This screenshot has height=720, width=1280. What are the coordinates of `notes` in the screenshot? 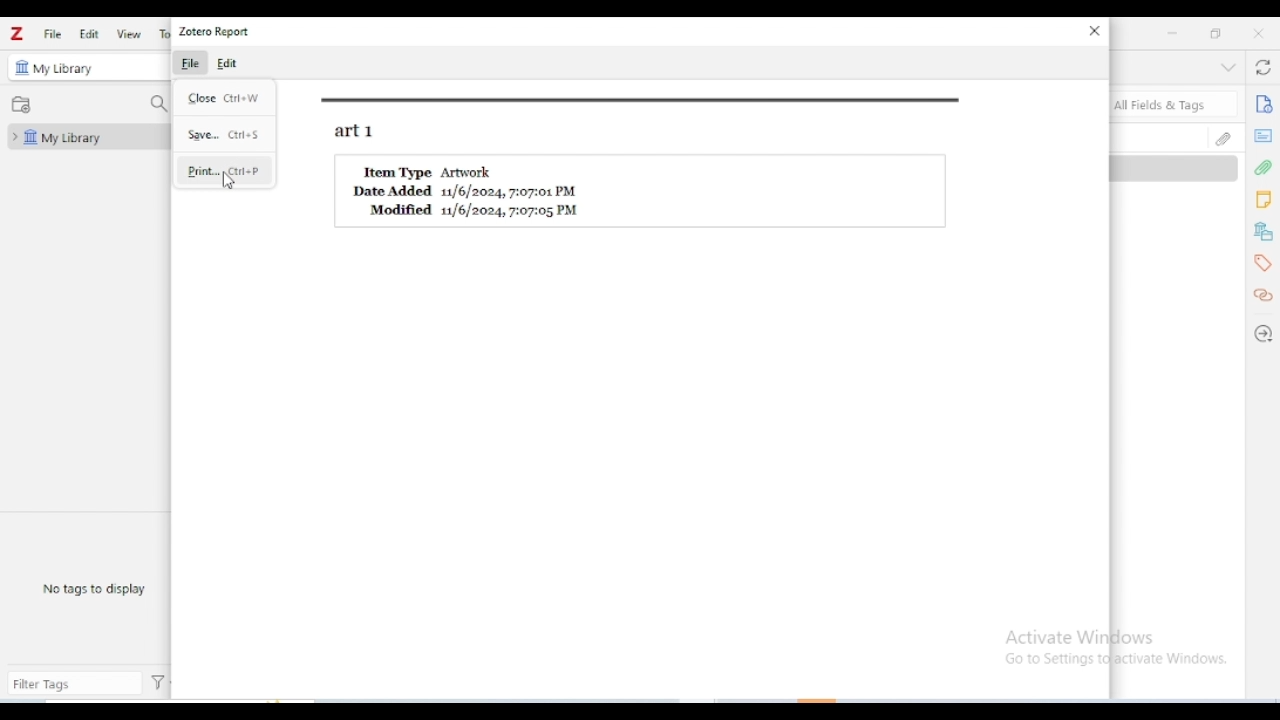 It's located at (1263, 200).